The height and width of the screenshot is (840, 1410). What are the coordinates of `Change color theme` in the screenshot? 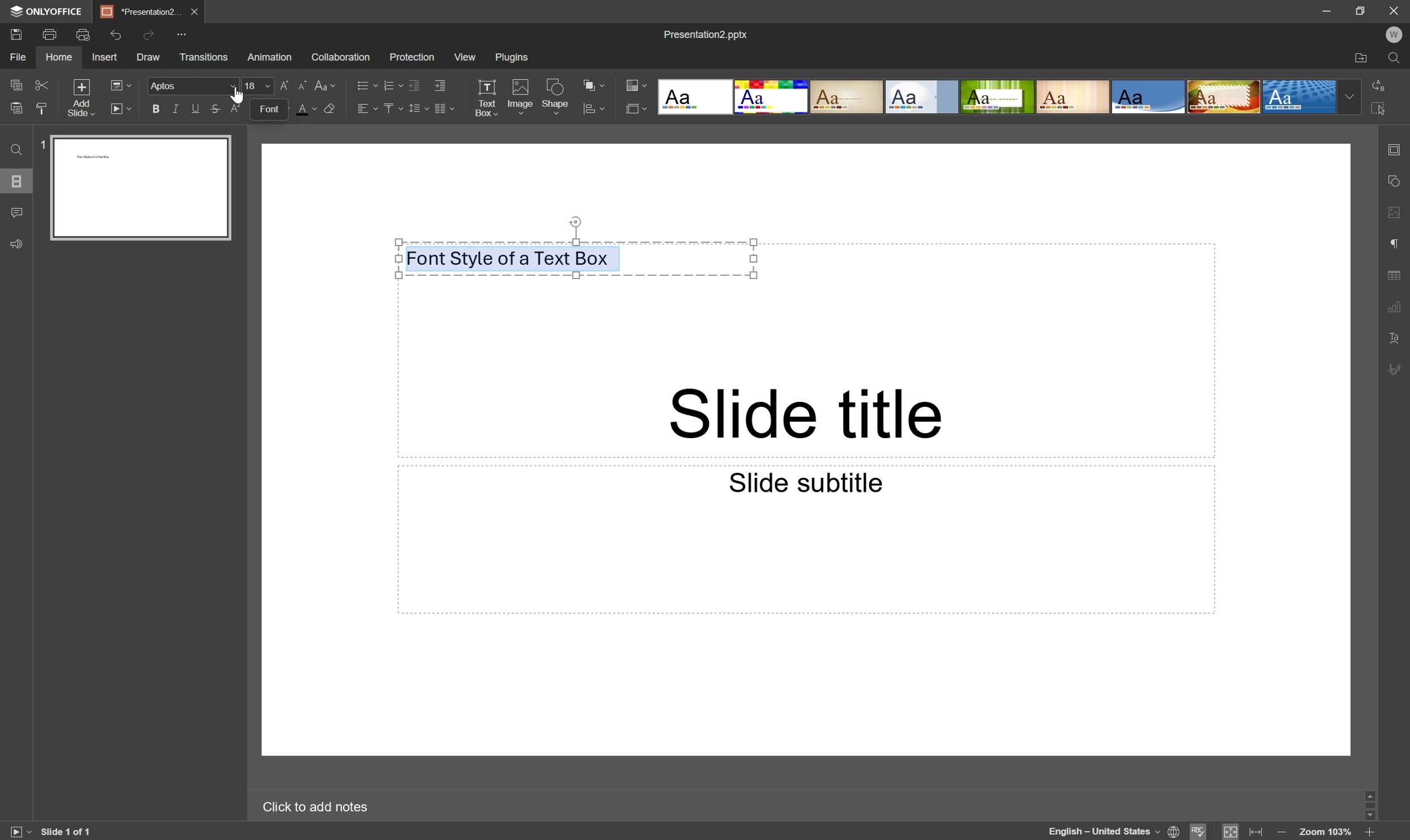 It's located at (636, 85).